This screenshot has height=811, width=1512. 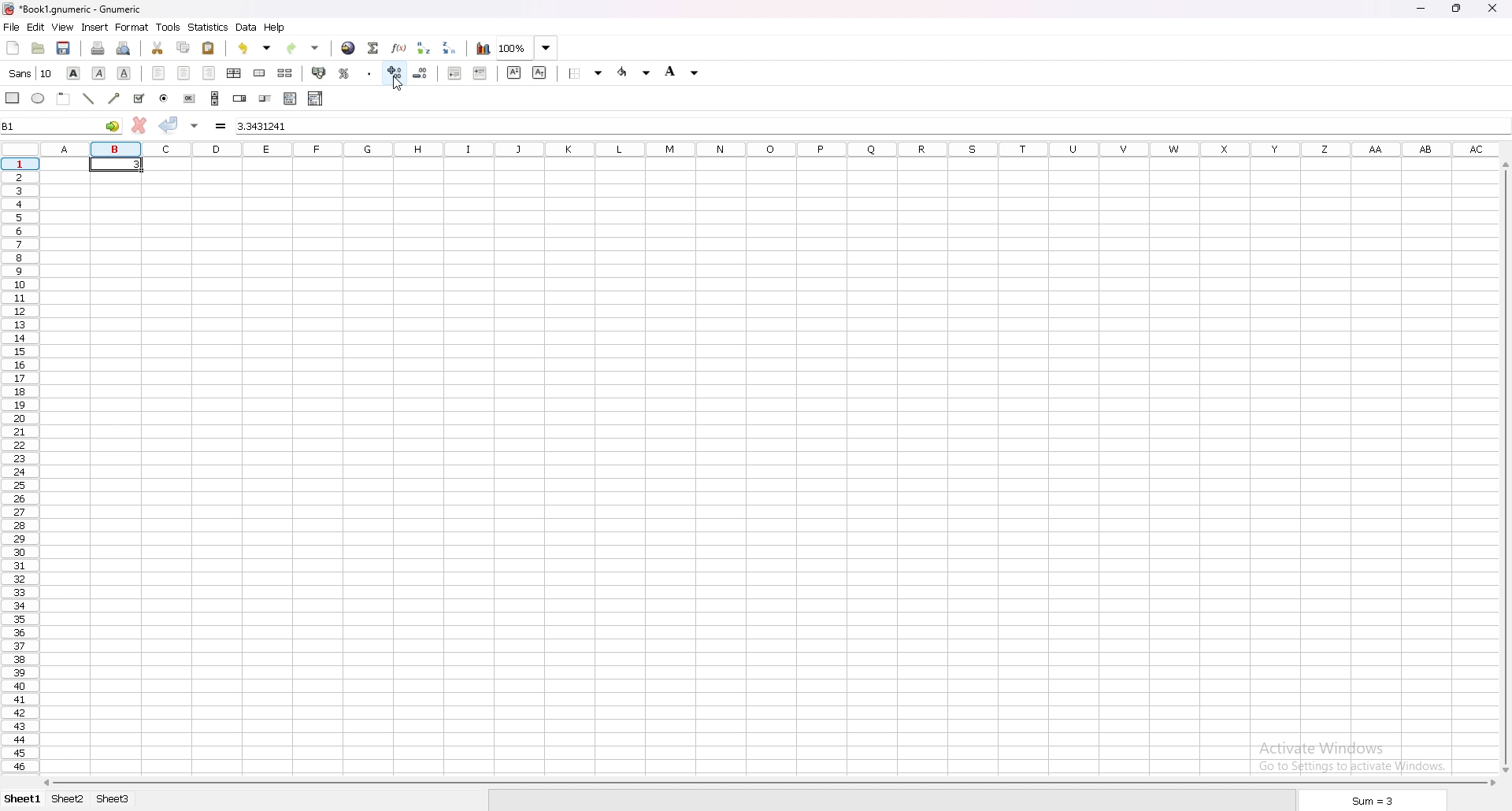 I want to click on increase decimal, so click(x=394, y=74).